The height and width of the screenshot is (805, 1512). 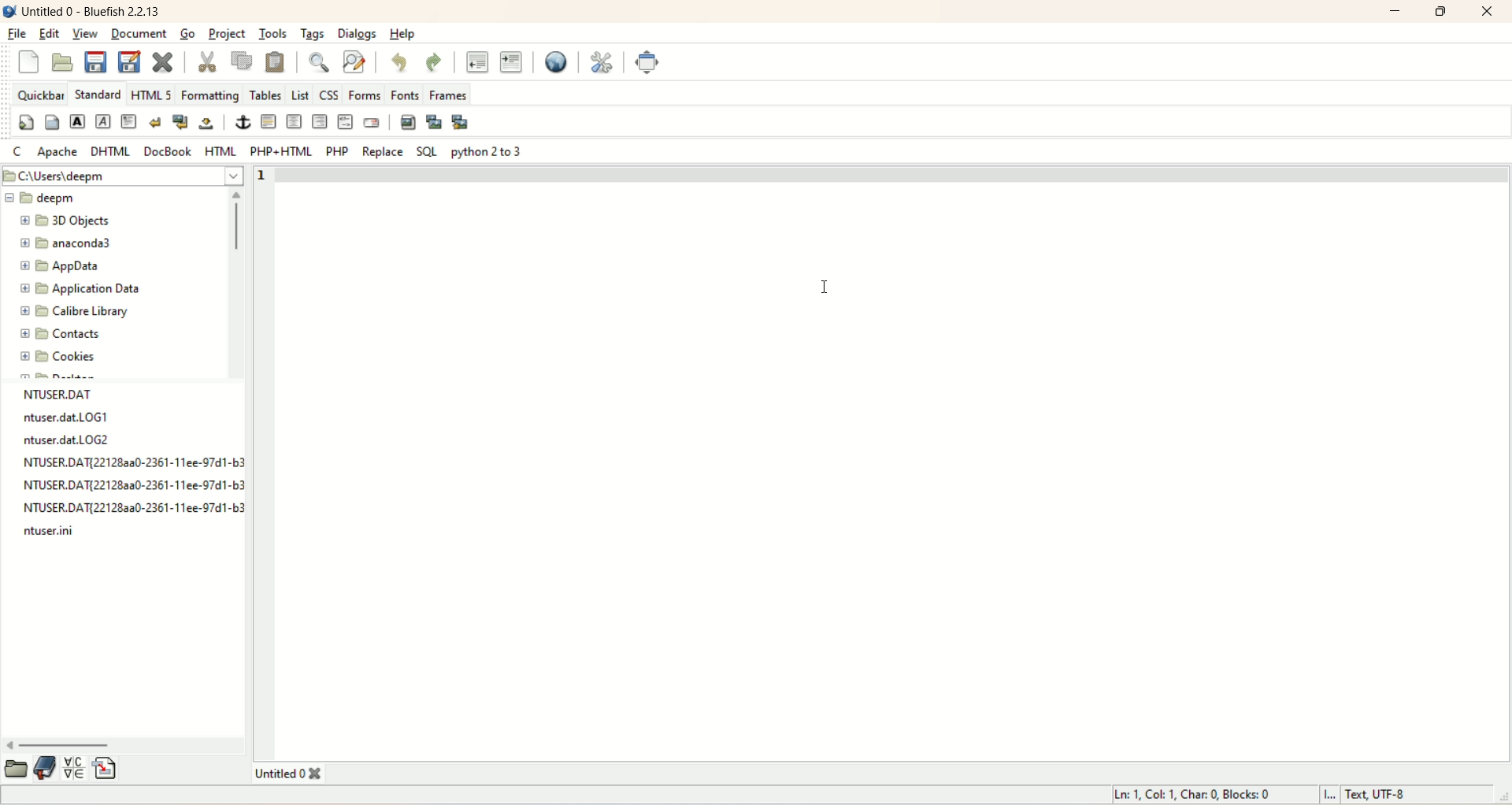 What do you see at coordinates (124, 744) in the screenshot?
I see `horizontal scroll bar` at bounding box center [124, 744].